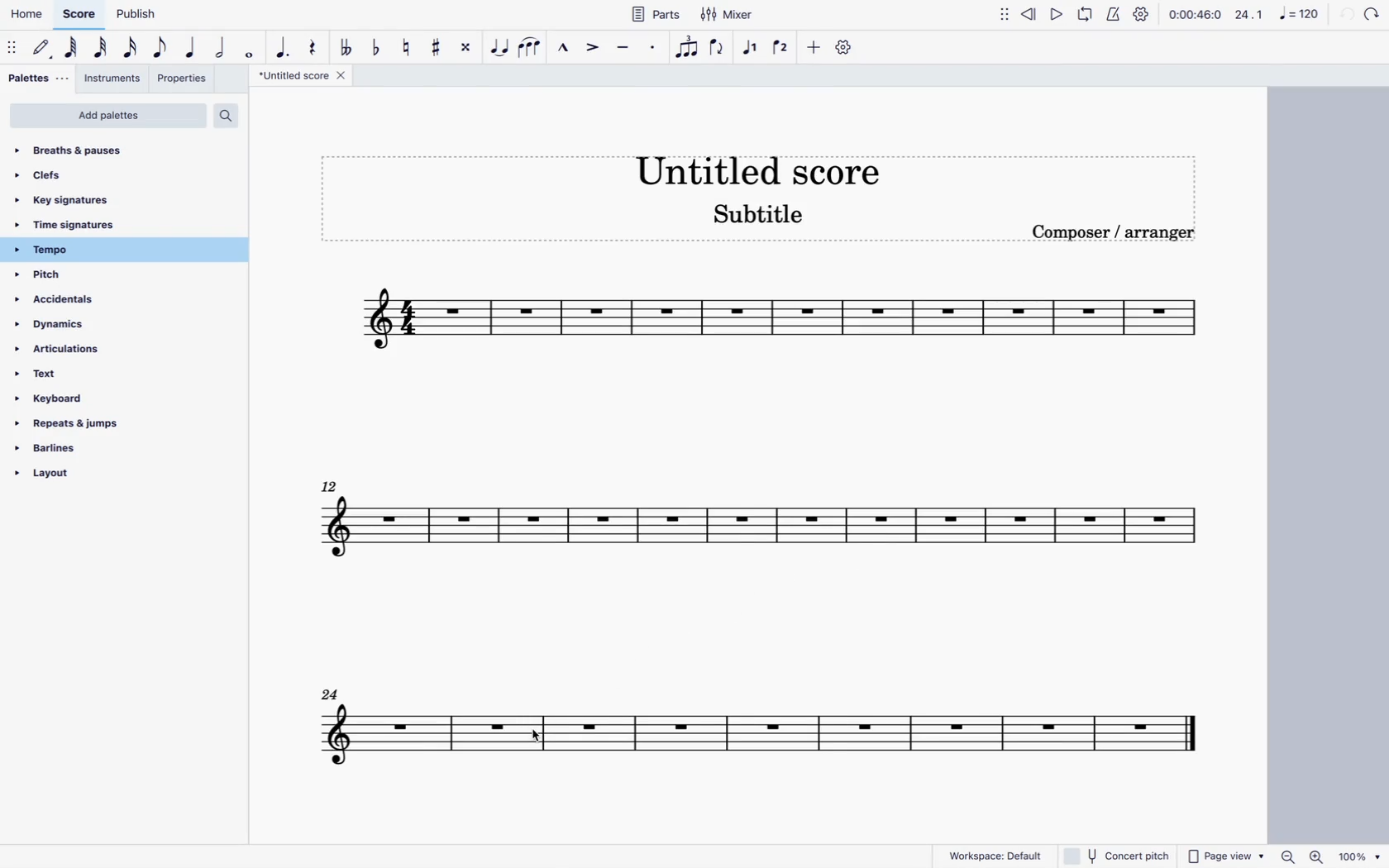 The height and width of the screenshot is (868, 1389). Describe the element at coordinates (848, 50) in the screenshot. I see `settings` at that location.